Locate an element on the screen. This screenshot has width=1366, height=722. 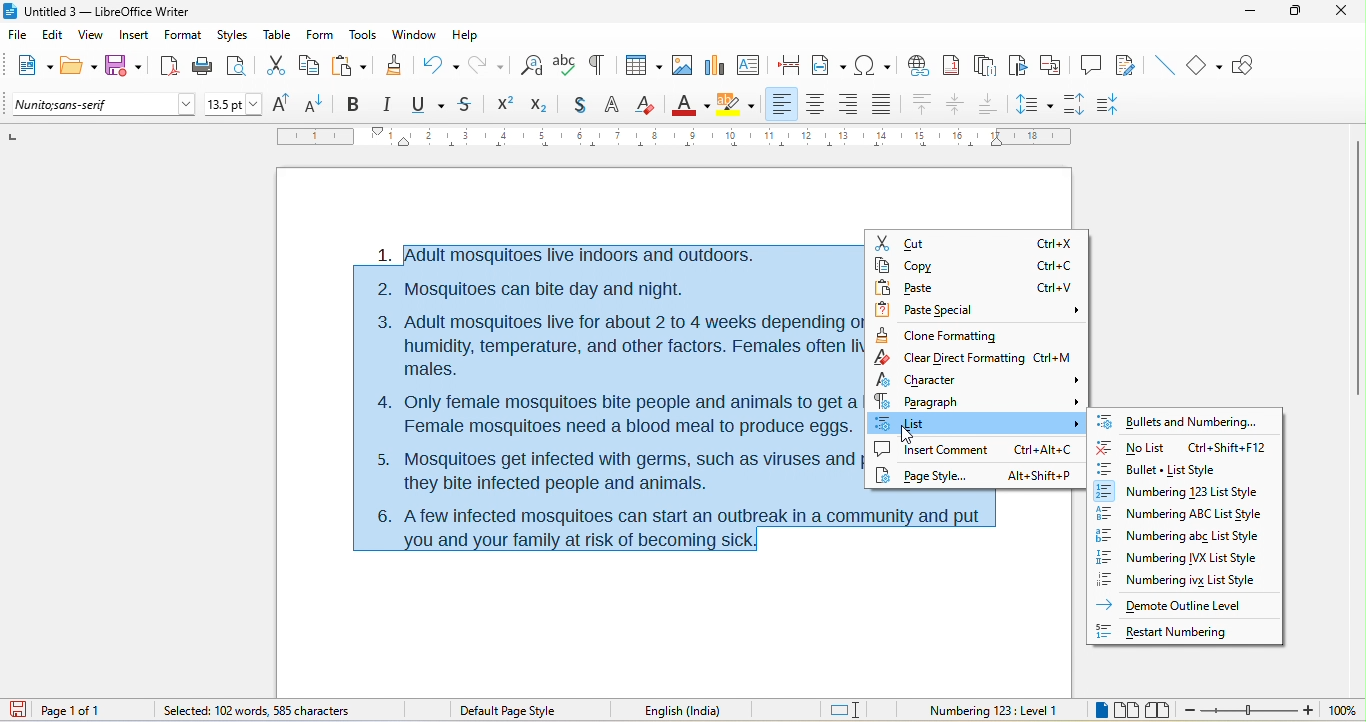
character highlighting is located at coordinates (738, 104).